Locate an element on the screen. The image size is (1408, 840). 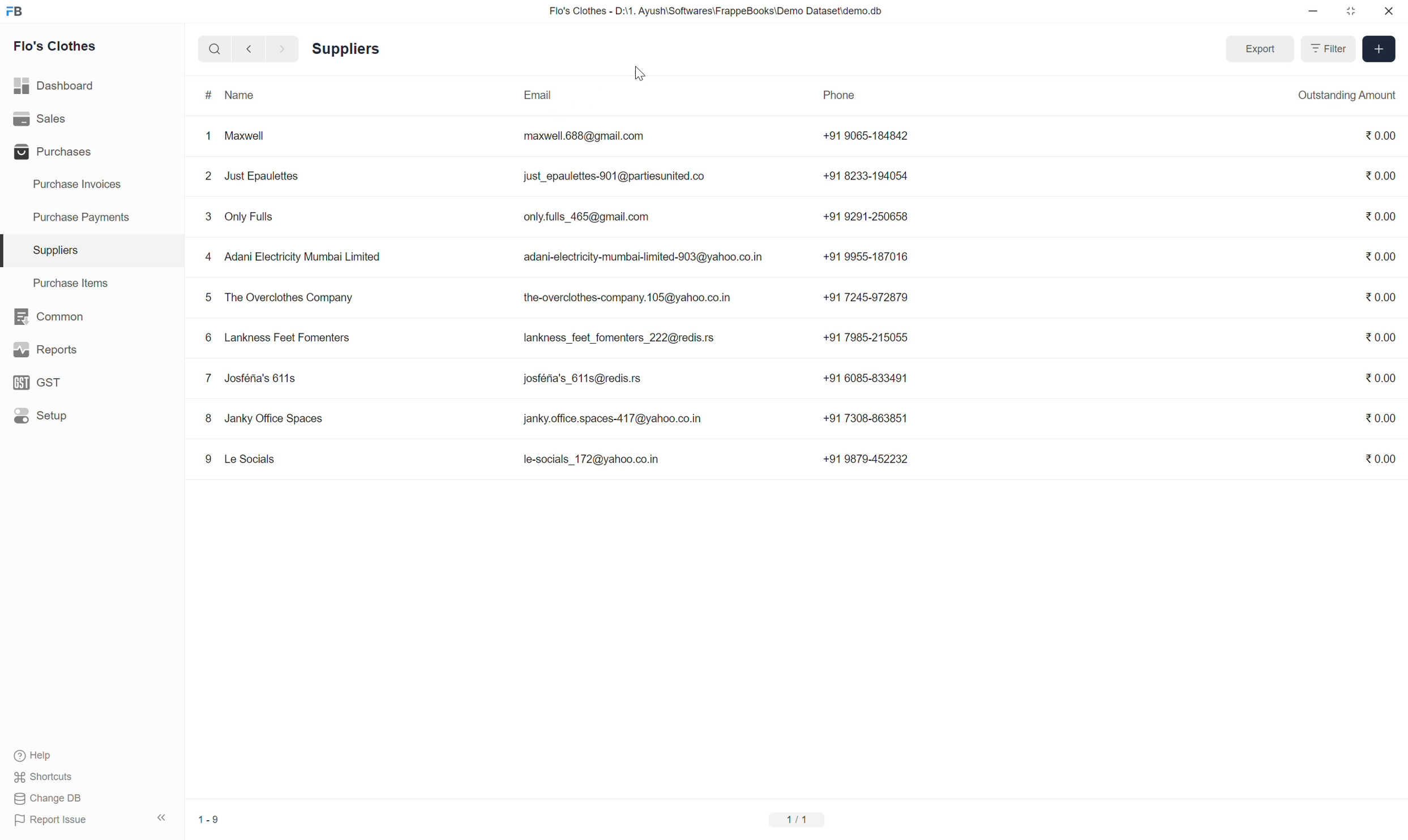
3 is located at coordinates (209, 217).